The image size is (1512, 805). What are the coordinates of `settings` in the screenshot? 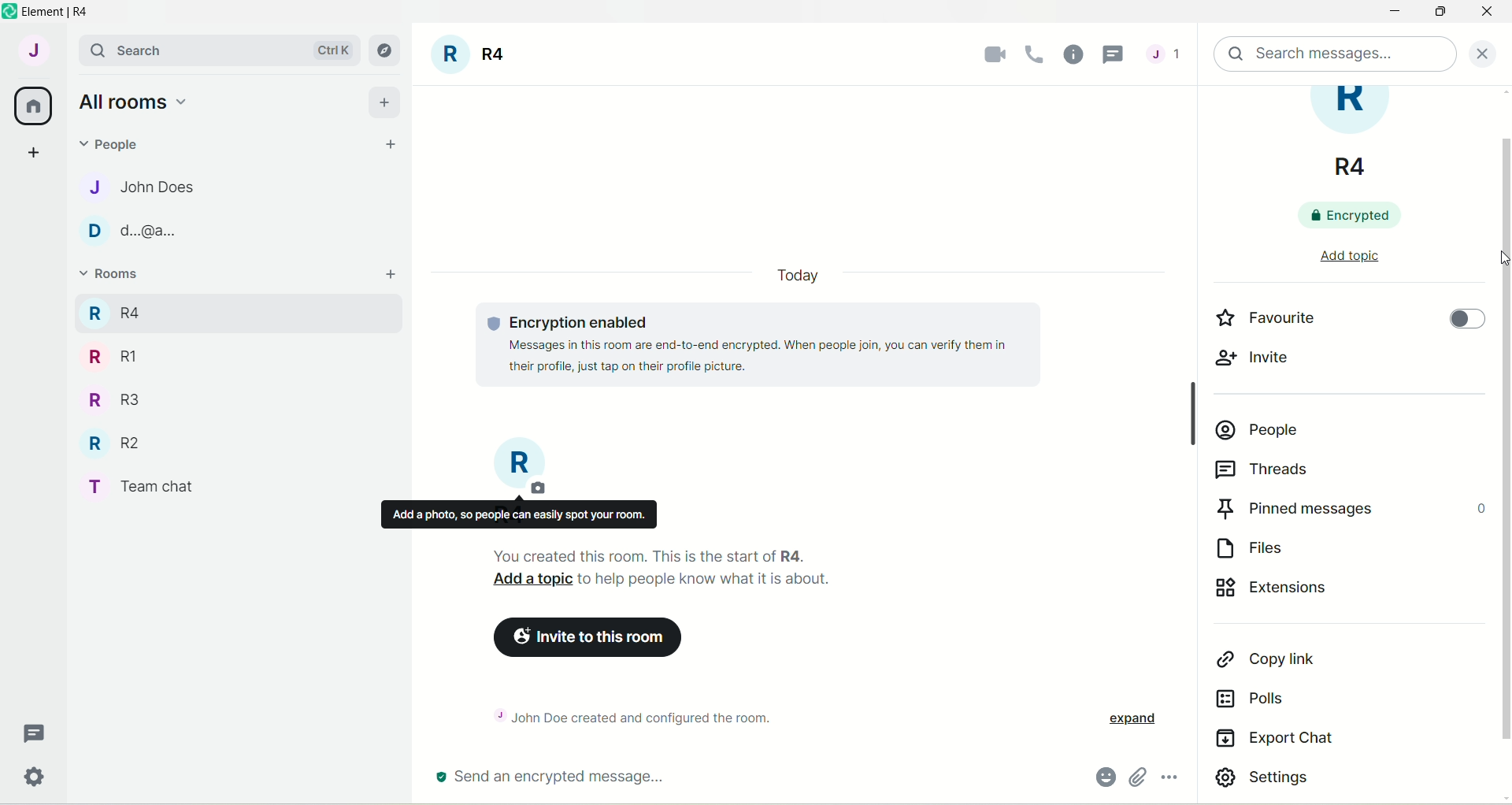 It's located at (37, 780).